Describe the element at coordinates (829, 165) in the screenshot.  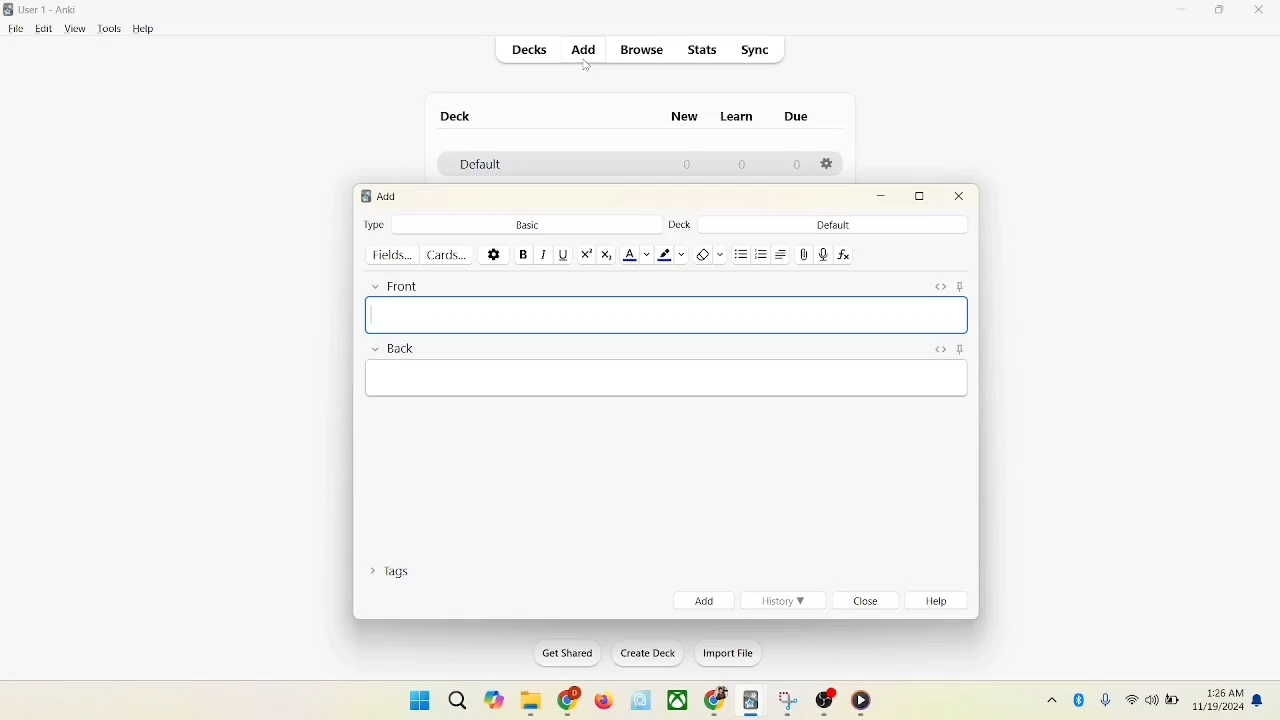
I see `Options` at that location.